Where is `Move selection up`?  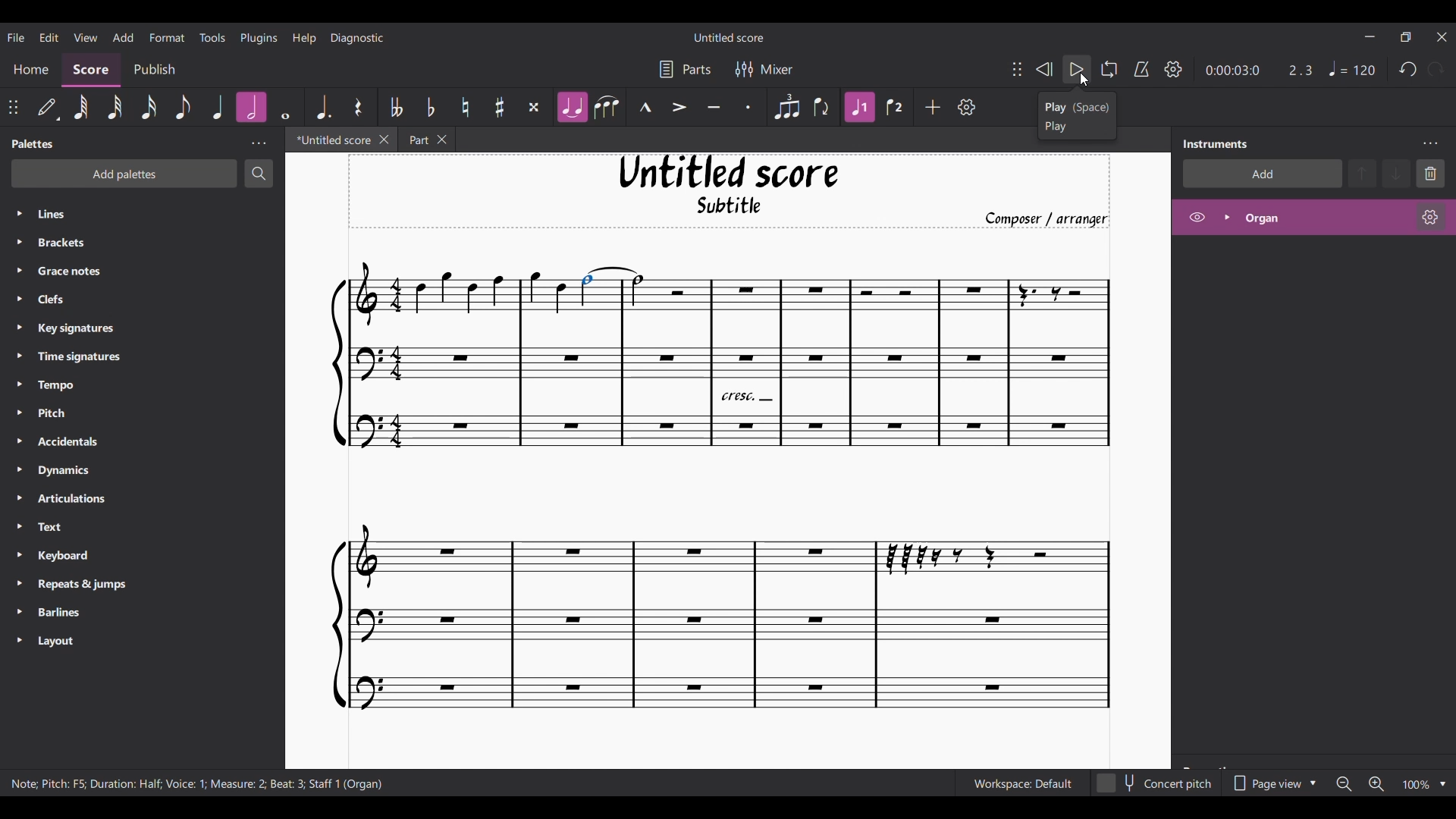
Move selection up is located at coordinates (1362, 174).